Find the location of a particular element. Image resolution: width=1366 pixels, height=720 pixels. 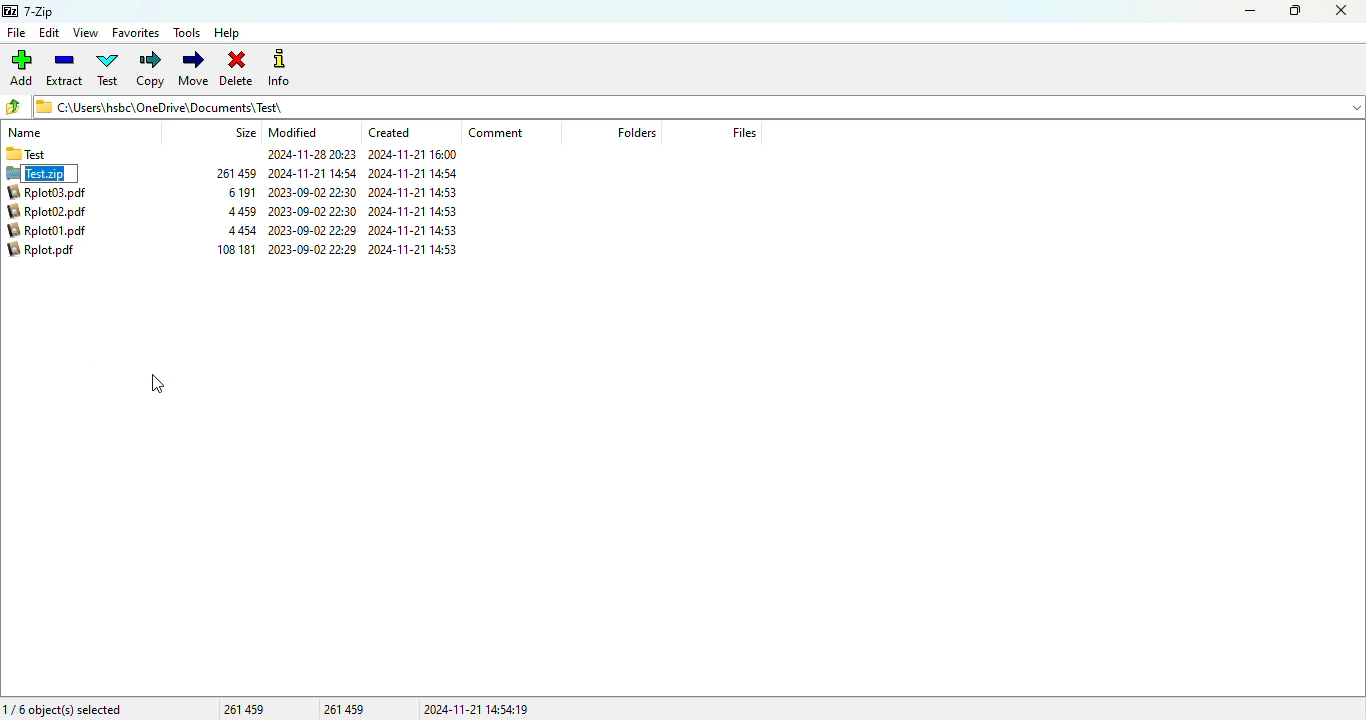

favorites is located at coordinates (136, 33).